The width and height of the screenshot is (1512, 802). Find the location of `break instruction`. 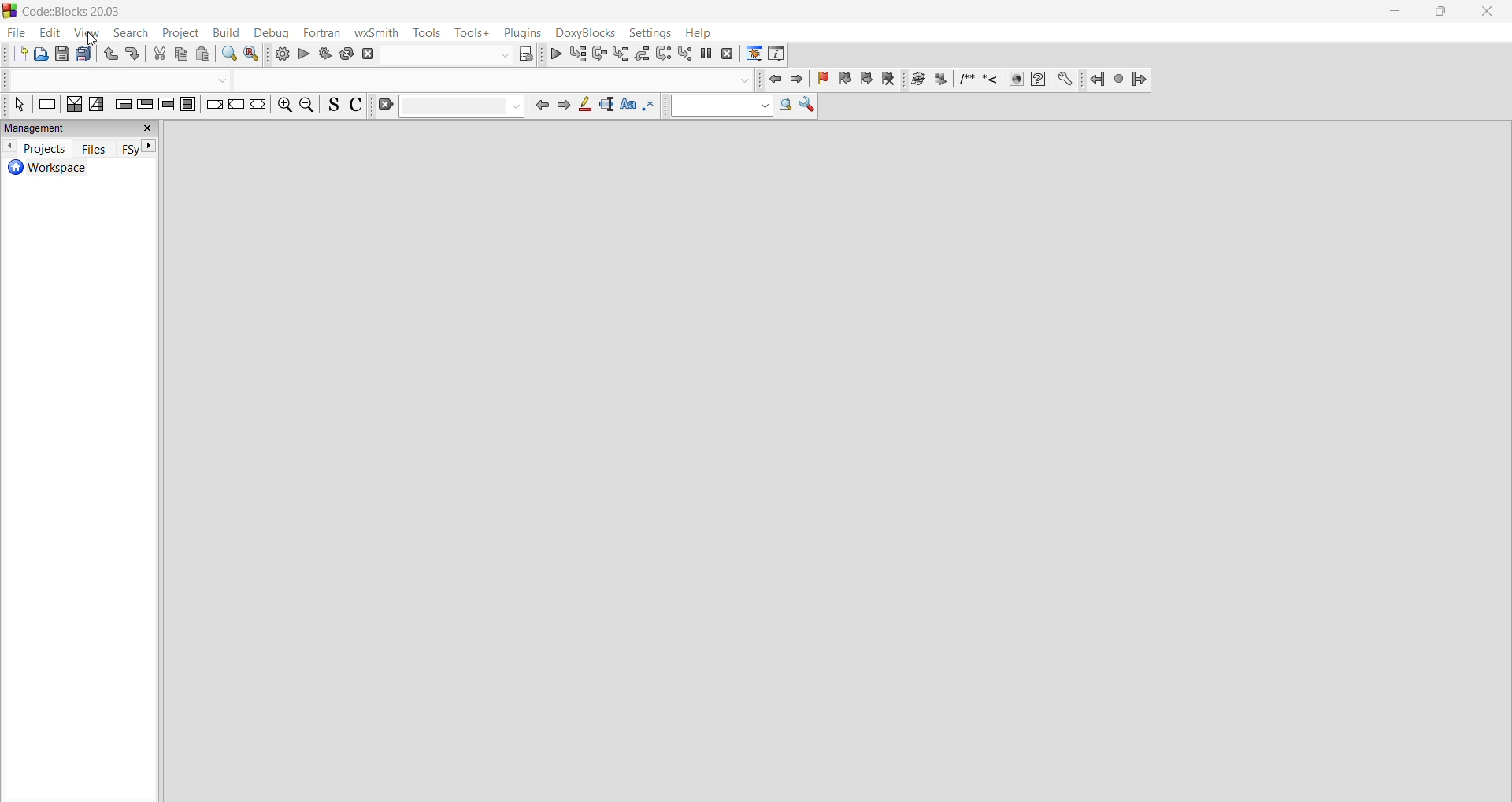

break instruction is located at coordinates (213, 106).